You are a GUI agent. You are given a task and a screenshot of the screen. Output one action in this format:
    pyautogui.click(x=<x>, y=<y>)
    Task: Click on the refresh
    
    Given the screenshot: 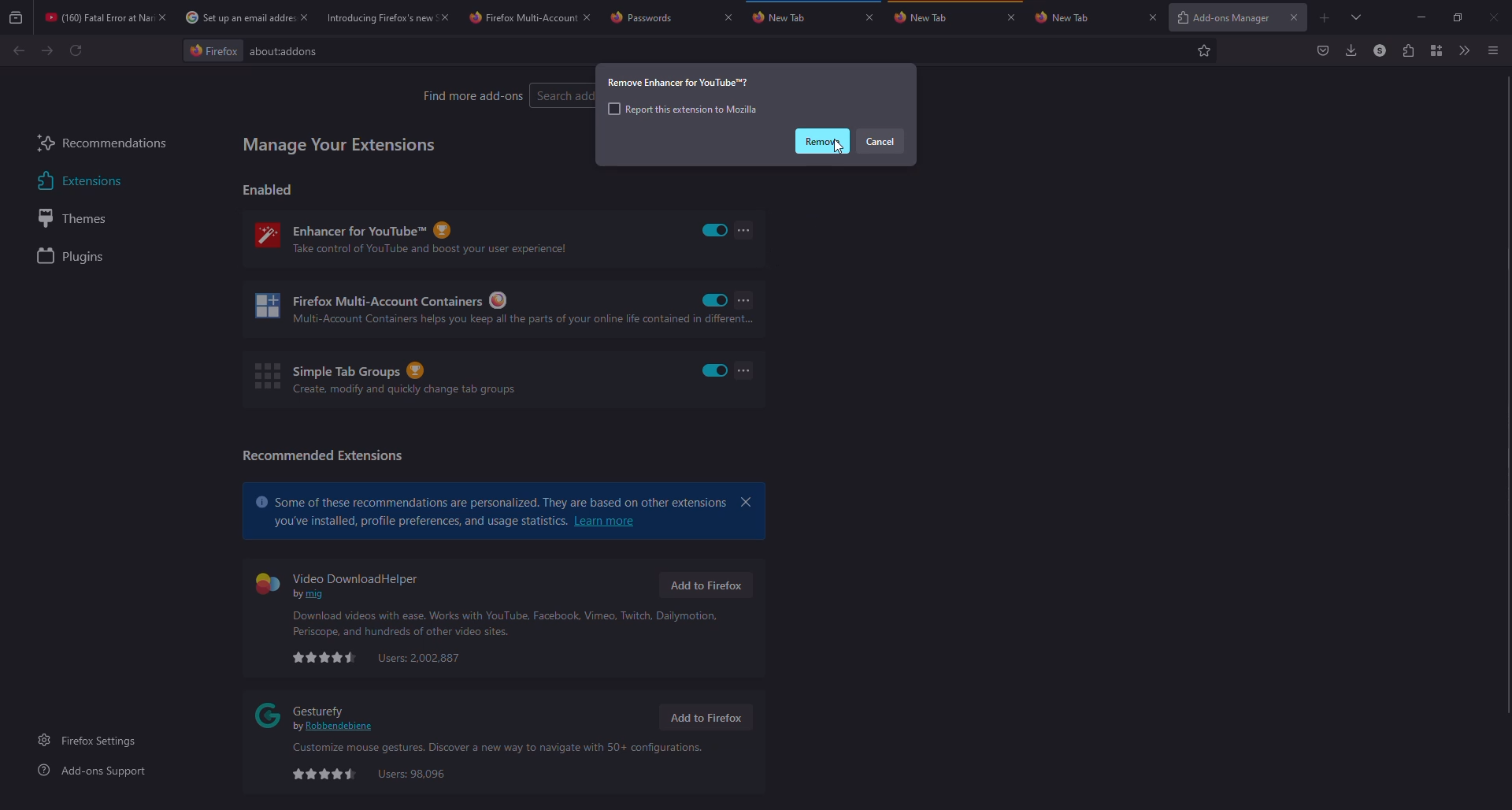 What is the action you would take?
    pyautogui.click(x=76, y=50)
    